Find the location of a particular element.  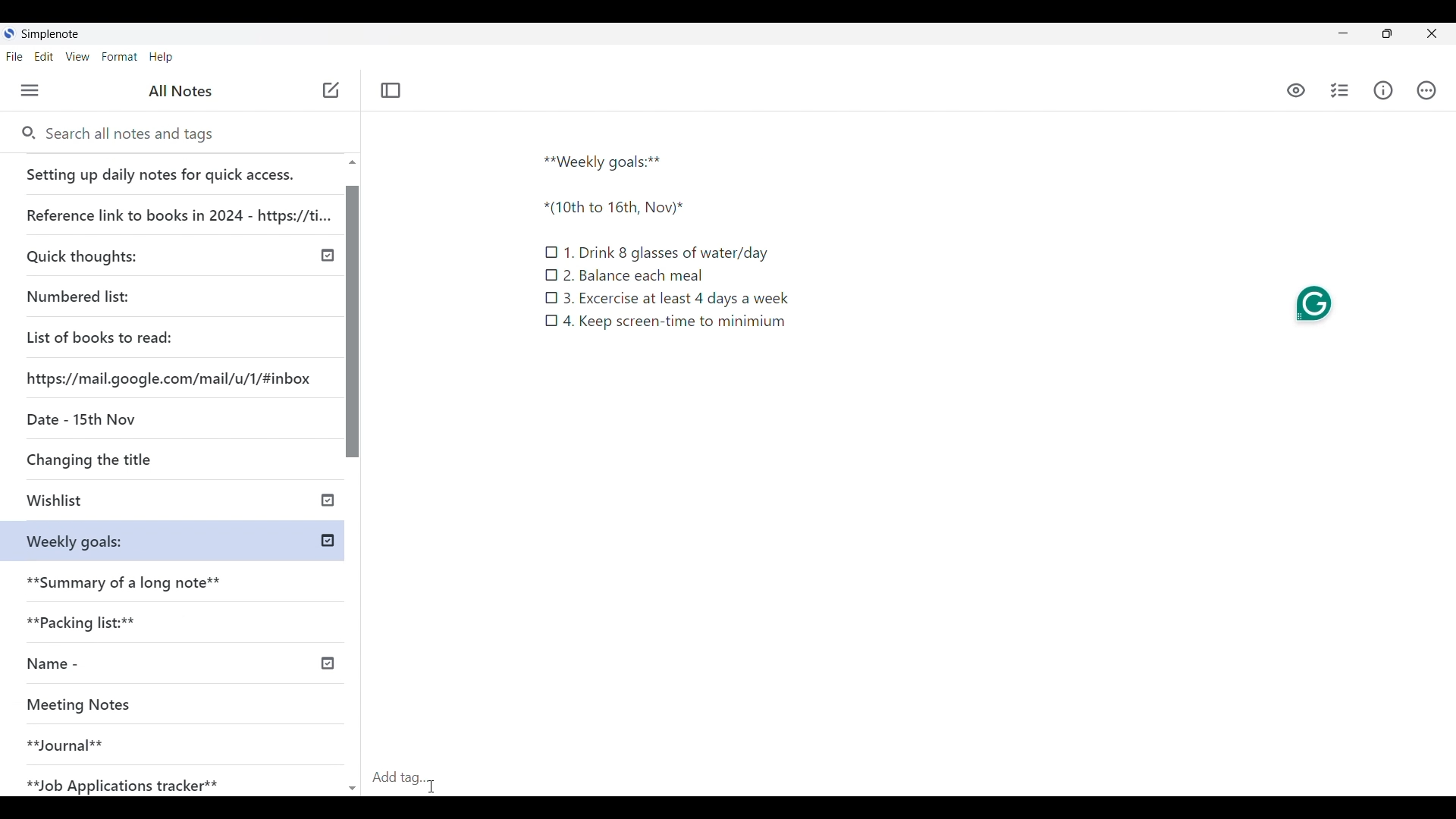

Software note is located at coordinates (52, 34).